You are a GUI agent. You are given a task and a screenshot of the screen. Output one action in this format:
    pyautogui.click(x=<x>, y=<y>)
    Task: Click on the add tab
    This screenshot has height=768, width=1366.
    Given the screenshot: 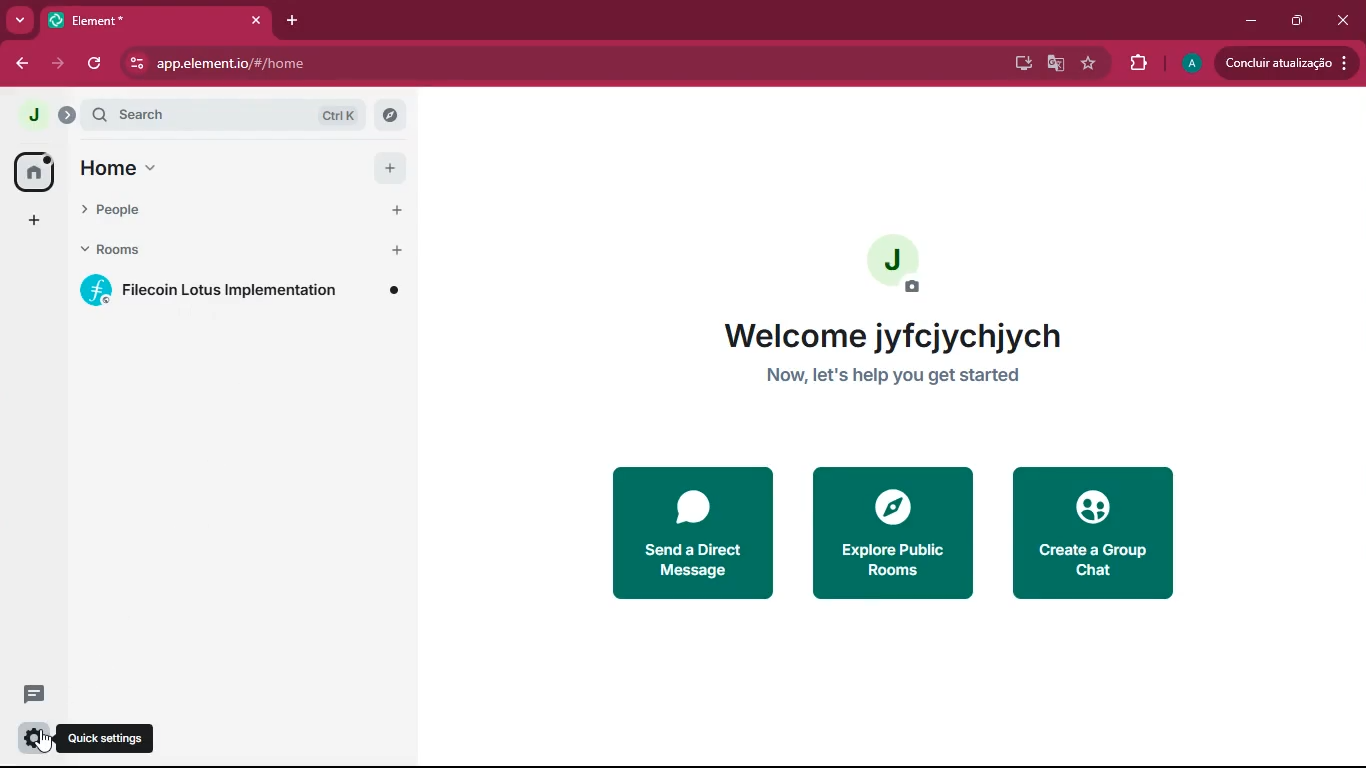 What is the action you would take?
    pyautogui.click(x=297, y=23)
    